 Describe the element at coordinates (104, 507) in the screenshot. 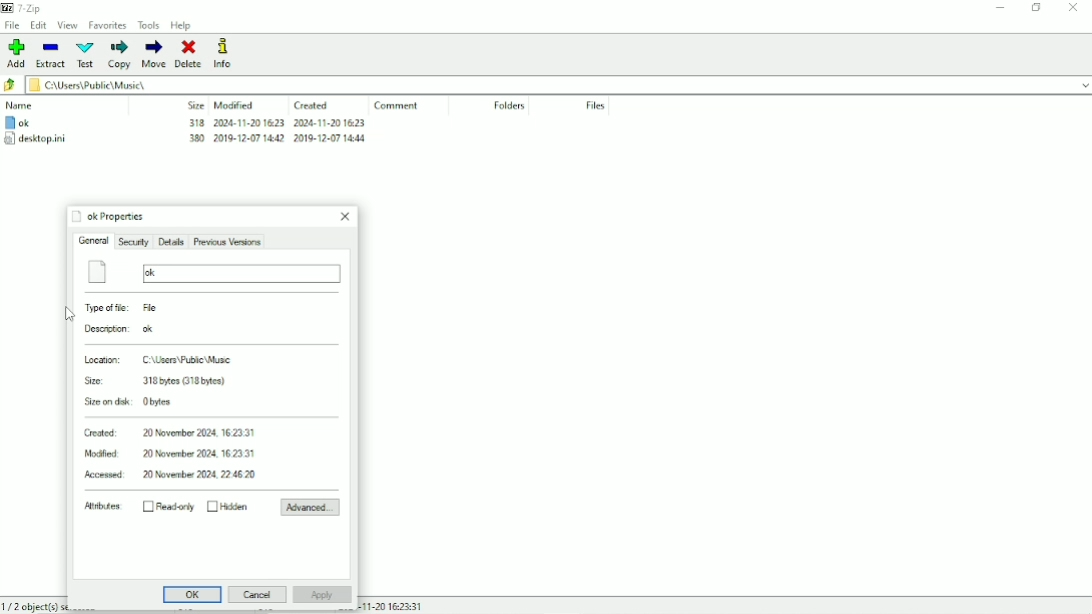

I see `Attributes` at that location.